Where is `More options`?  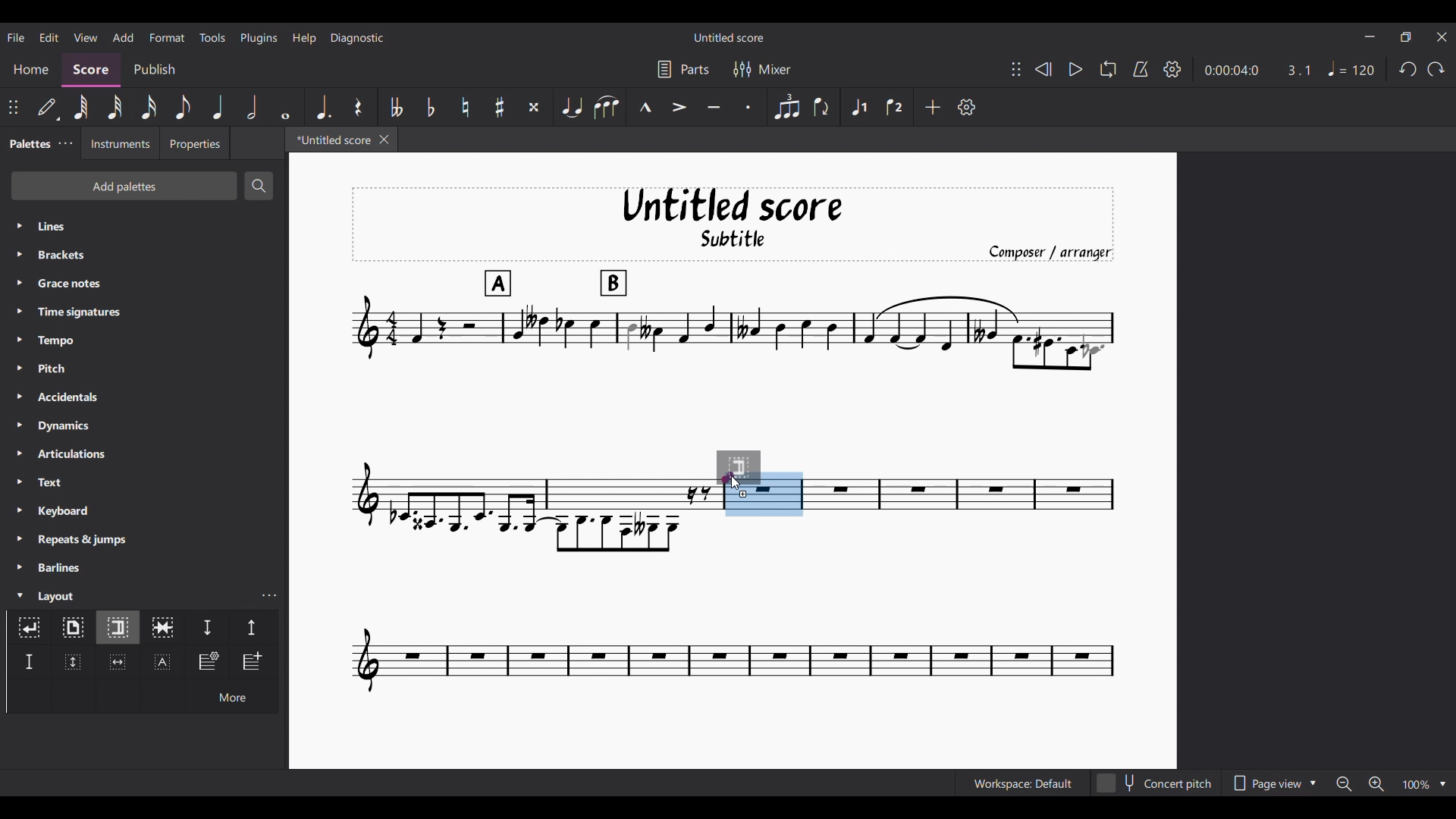
More options is located at coordinates (231, 695).